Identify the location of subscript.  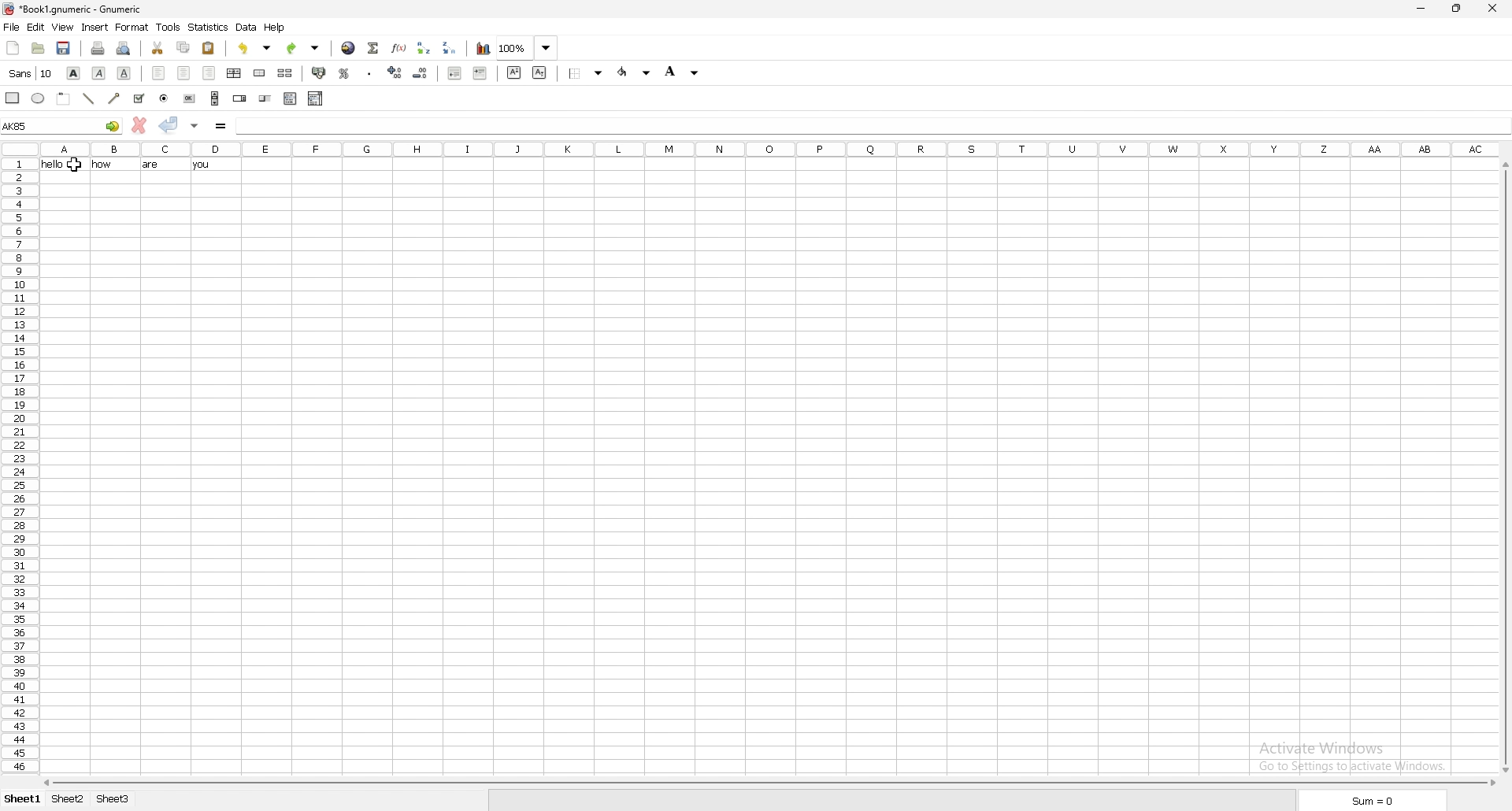
(539, 72).